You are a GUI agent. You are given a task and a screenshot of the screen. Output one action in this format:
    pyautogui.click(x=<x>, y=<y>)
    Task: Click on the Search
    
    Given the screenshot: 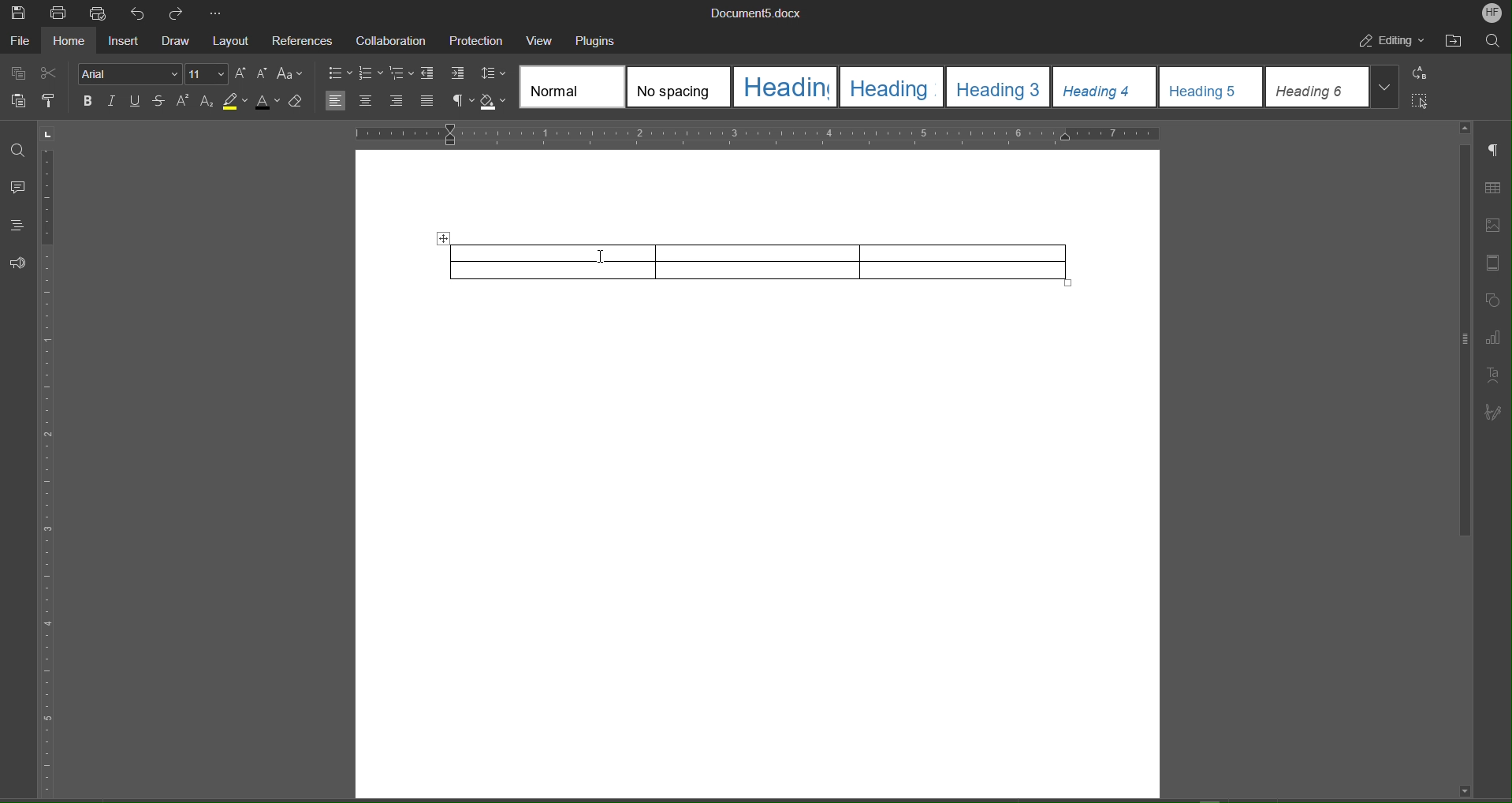 What is the action you would take?
    pyautogui.click(x=1494, y=43)
    